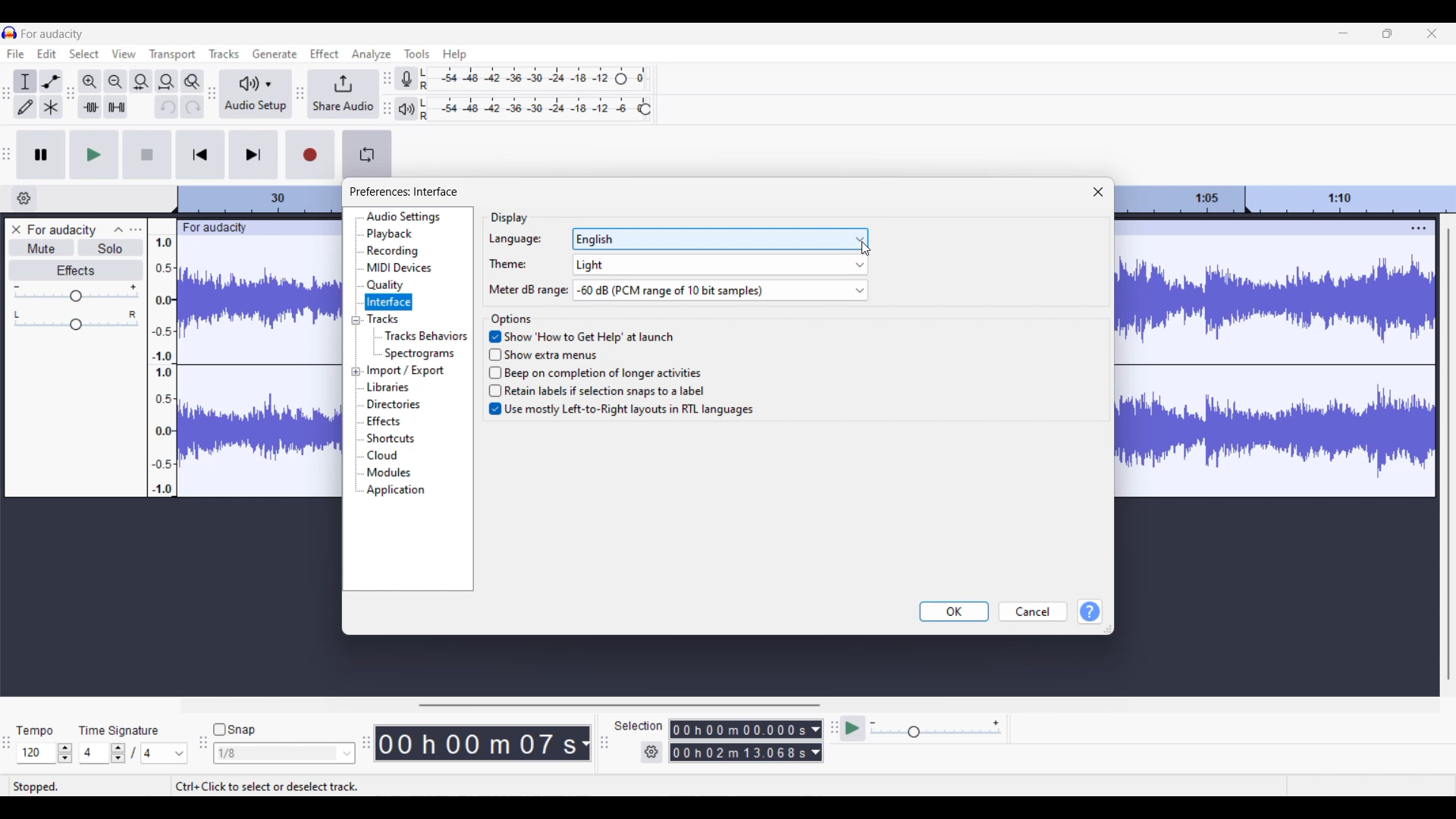 Image resolution: width=1456 pixels, height=819 pixels. I want to click on Minimize, so click(1344, 33).